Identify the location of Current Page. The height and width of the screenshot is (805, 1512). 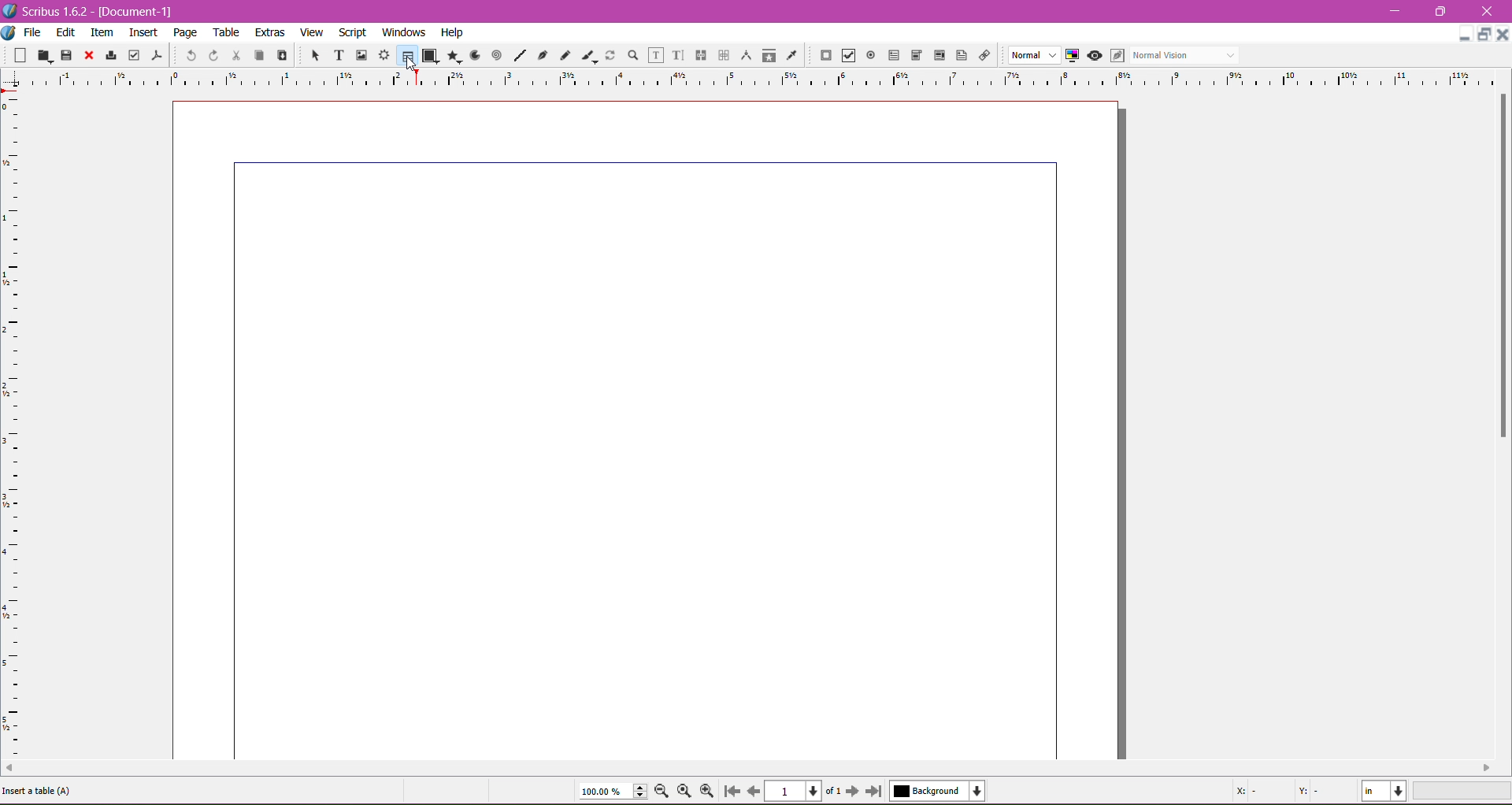
(795, 789).